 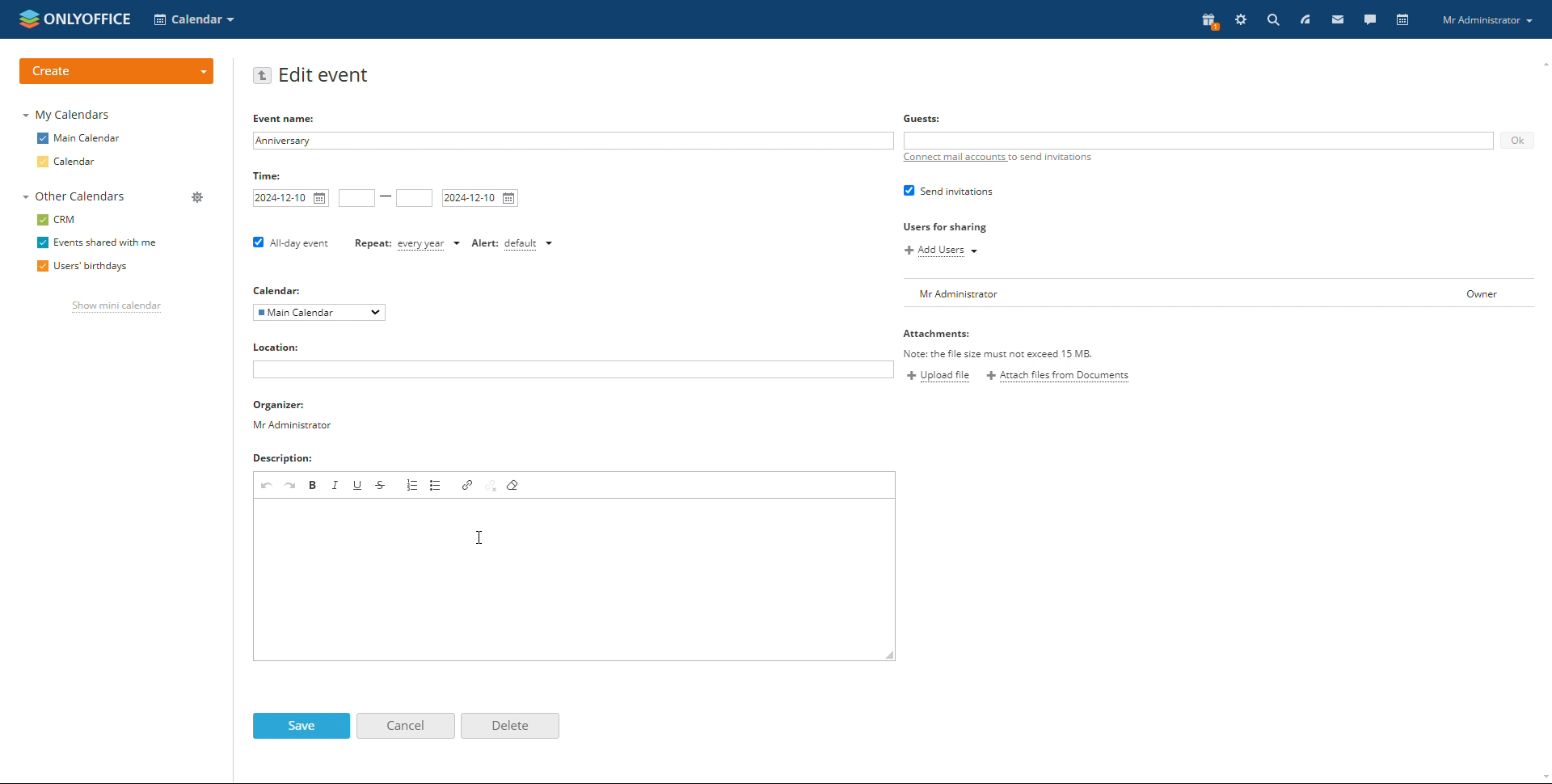 I want to click on present, so click(x=1207, y=22).